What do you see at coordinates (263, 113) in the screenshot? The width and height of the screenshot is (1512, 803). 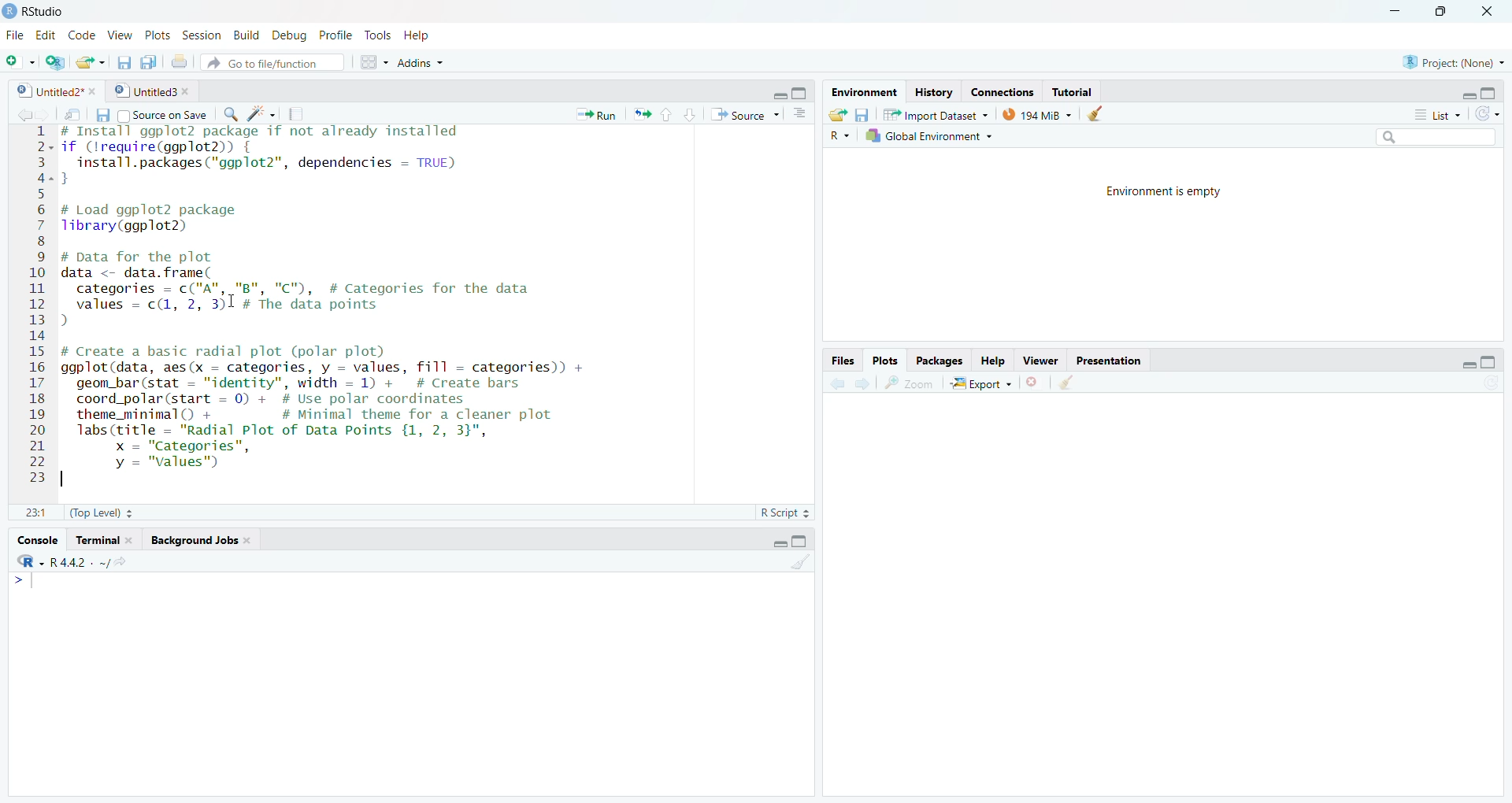 I see `code tools` at bounding box center [263, 113].